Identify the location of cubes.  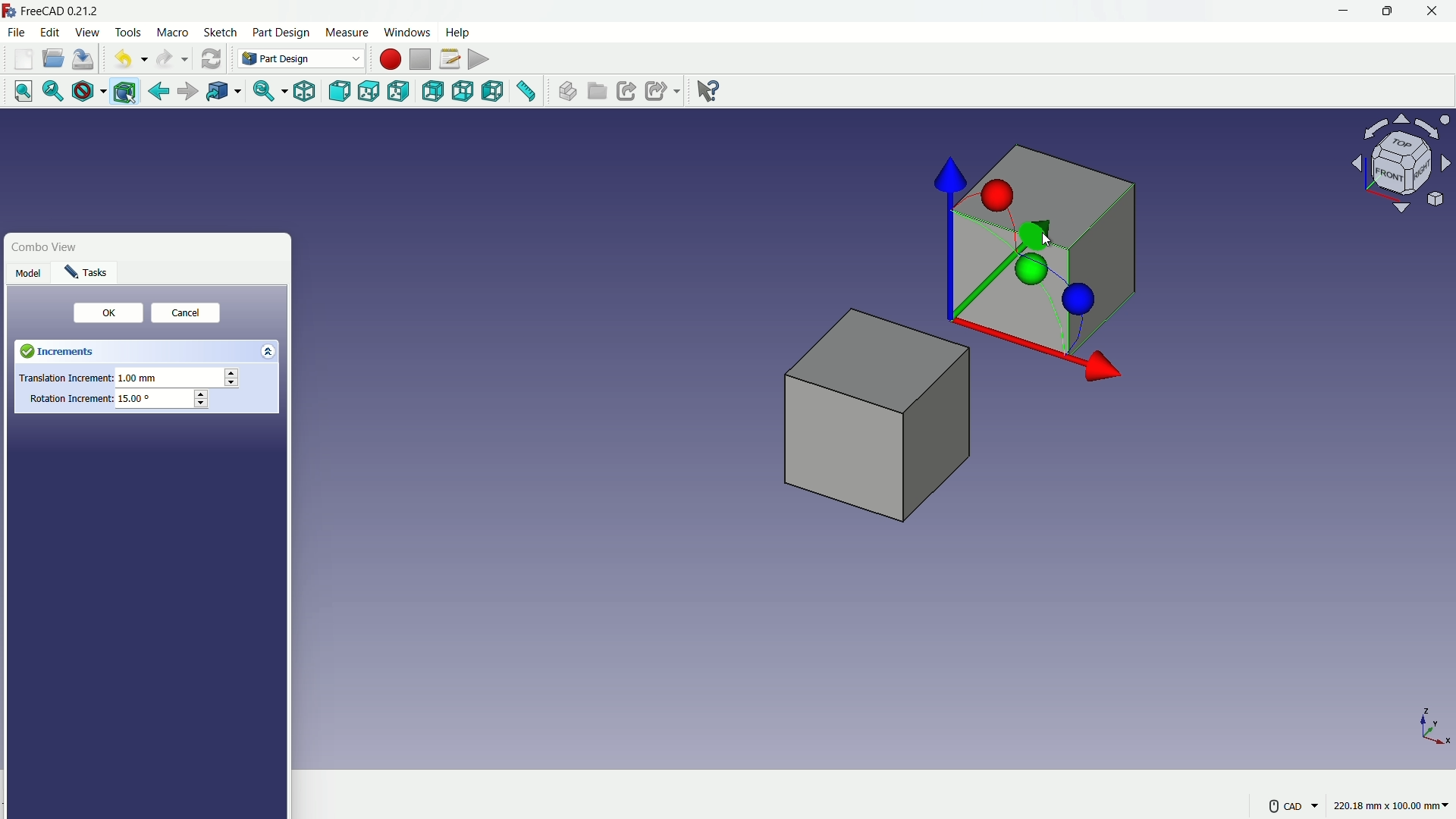
(921, 336).